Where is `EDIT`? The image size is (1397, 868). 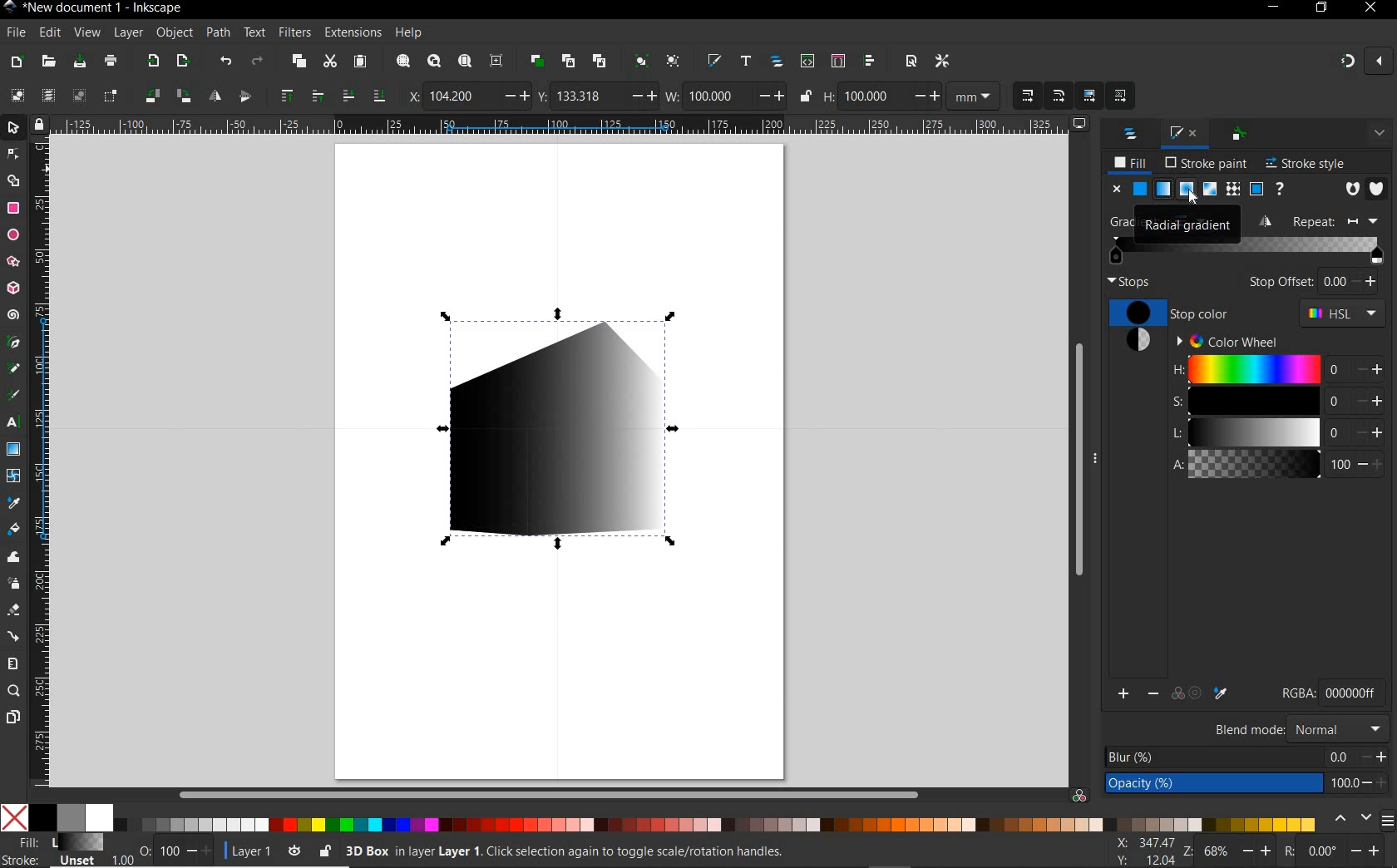 EDIT is located at coordinates (48, 31).